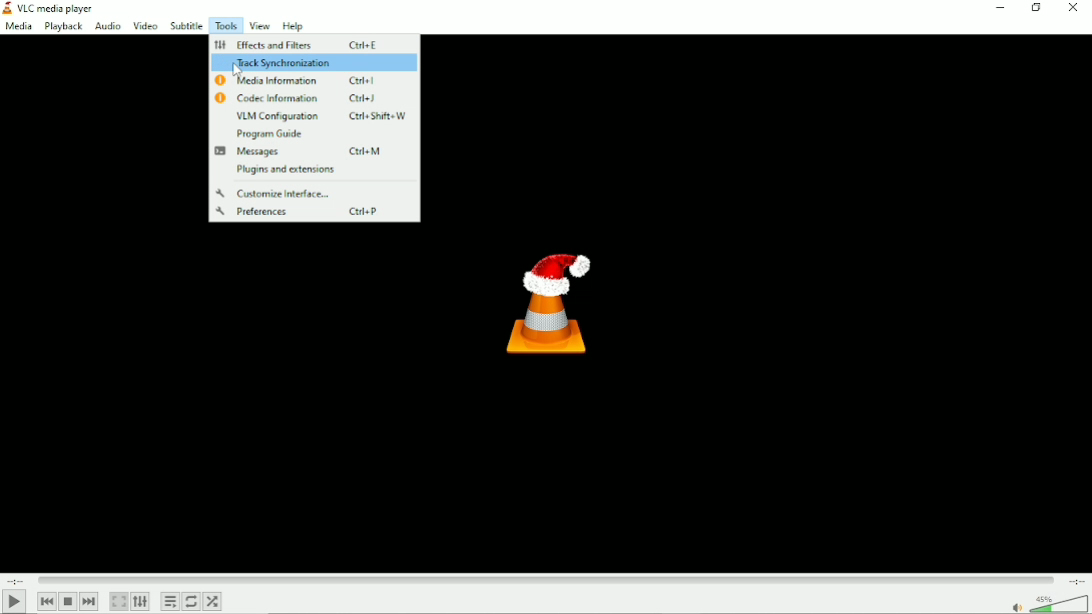 The width and height of the screenshot is (1092, 614). I want to click on random, so click(214, 601).